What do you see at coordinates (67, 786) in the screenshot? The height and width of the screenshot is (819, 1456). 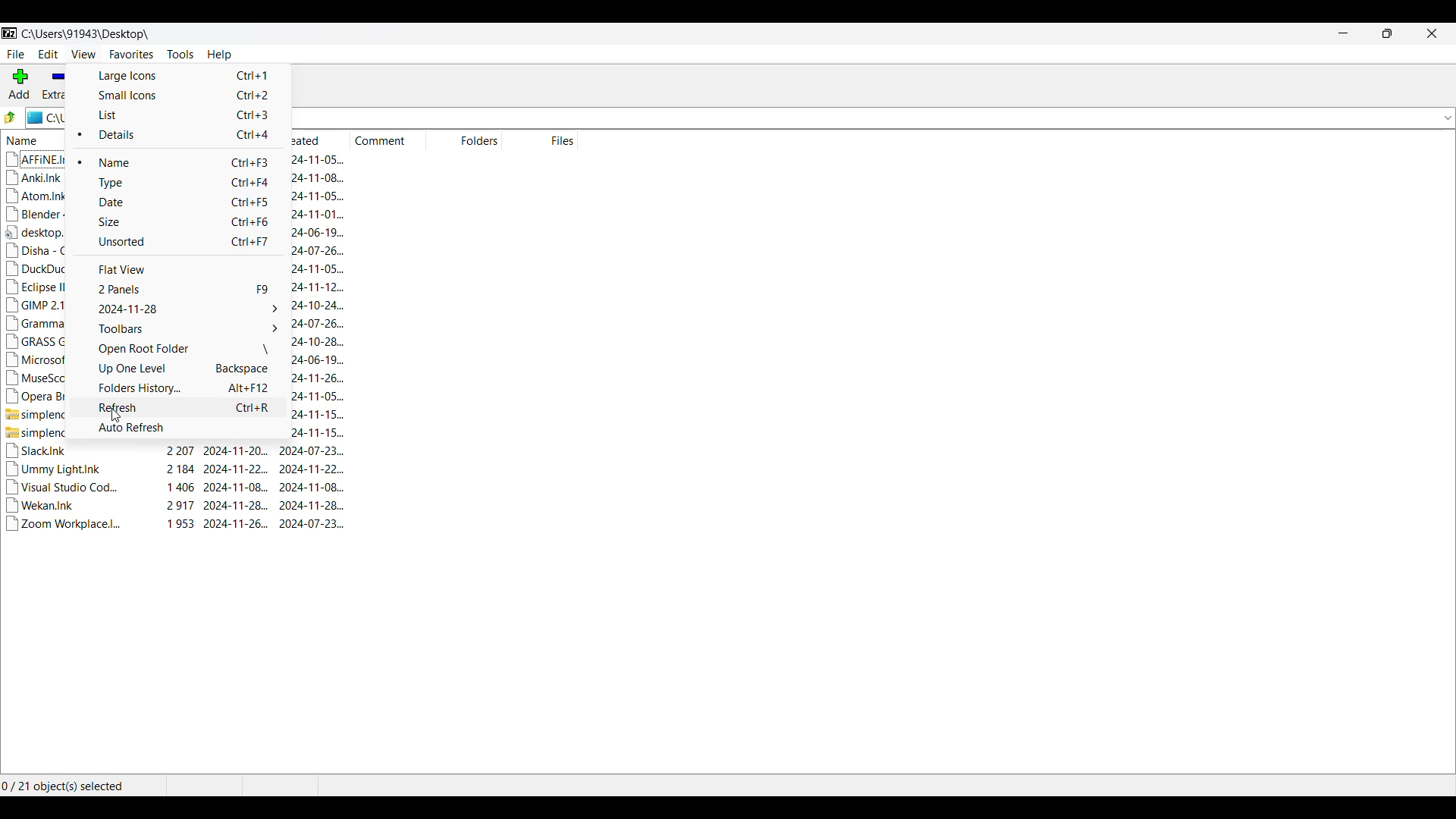 I see `0 / 21 object(s) selected` at bounding box center [67, 786].